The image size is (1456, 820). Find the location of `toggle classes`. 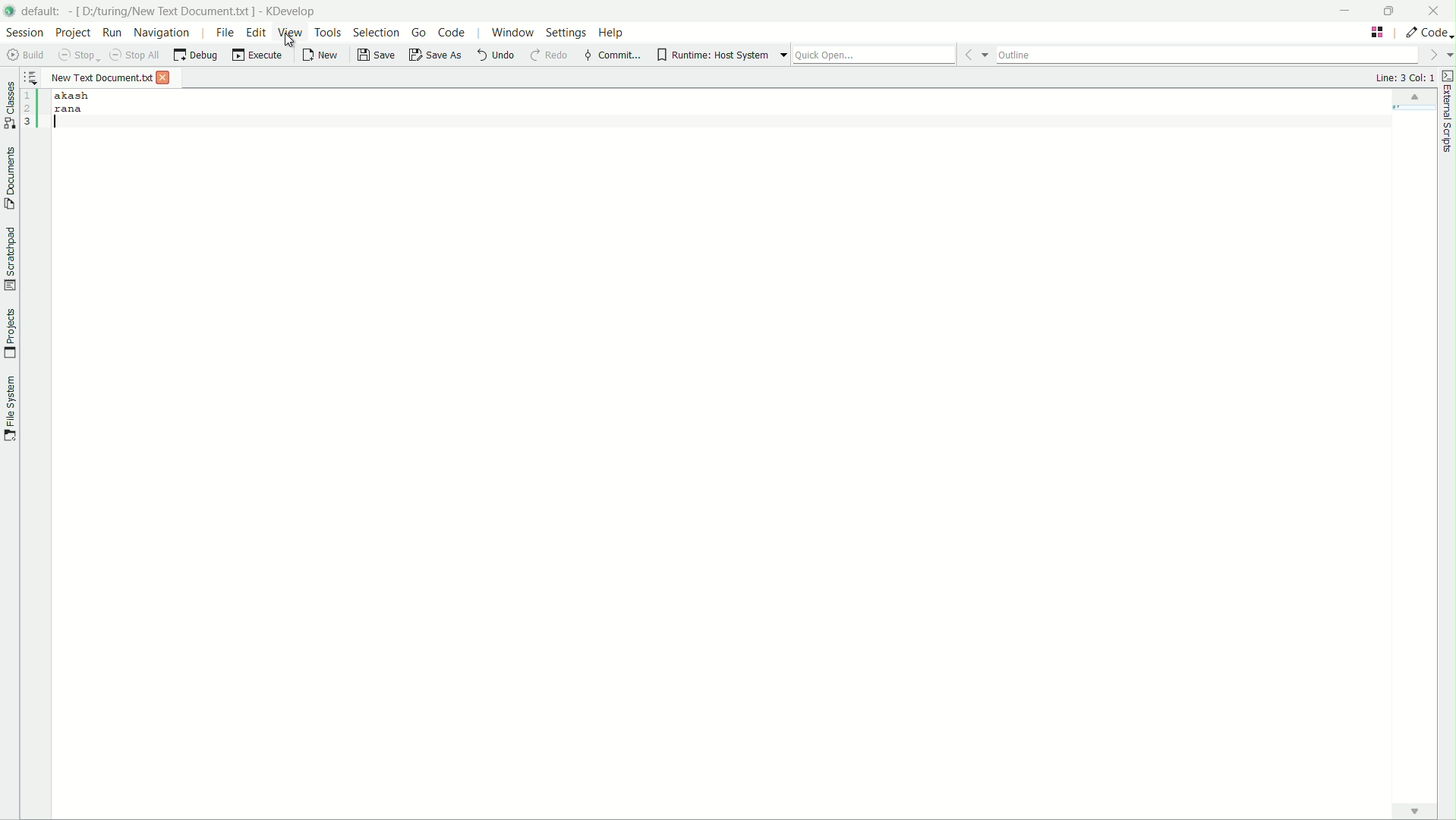

toggle classes is located at coordinates (9, 101).